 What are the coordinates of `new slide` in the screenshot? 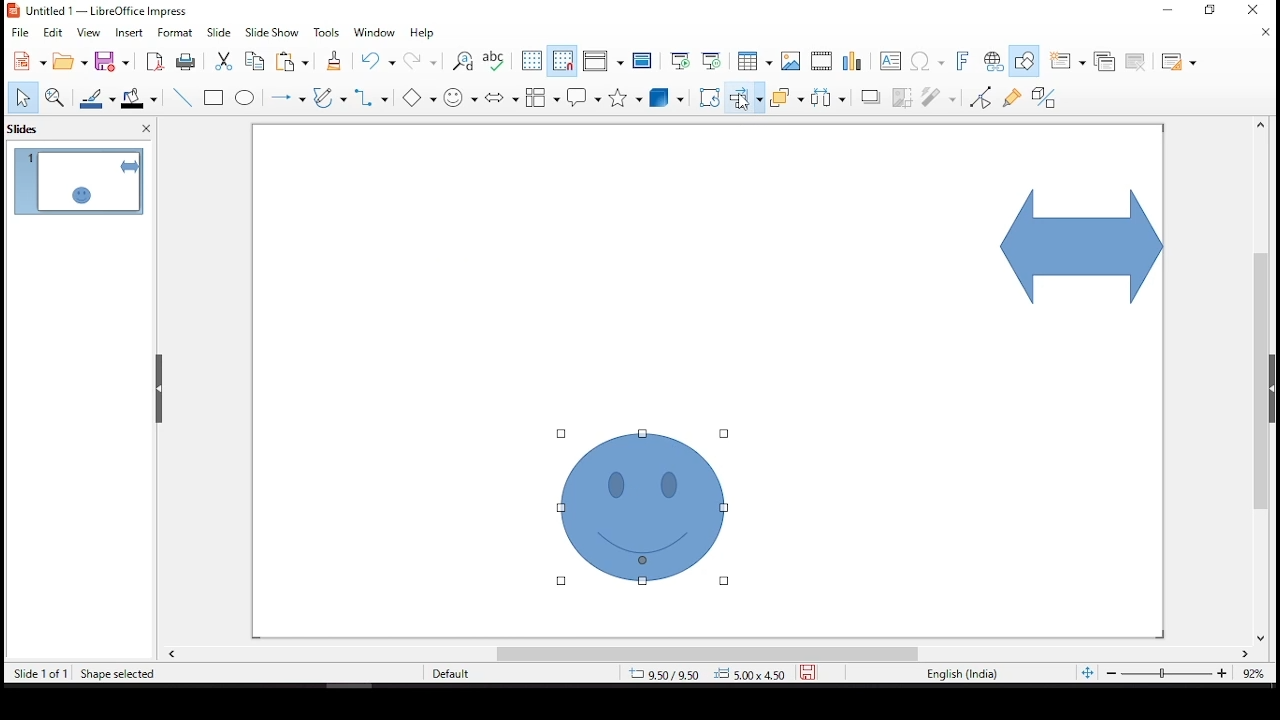 It's located at (1067, 60).